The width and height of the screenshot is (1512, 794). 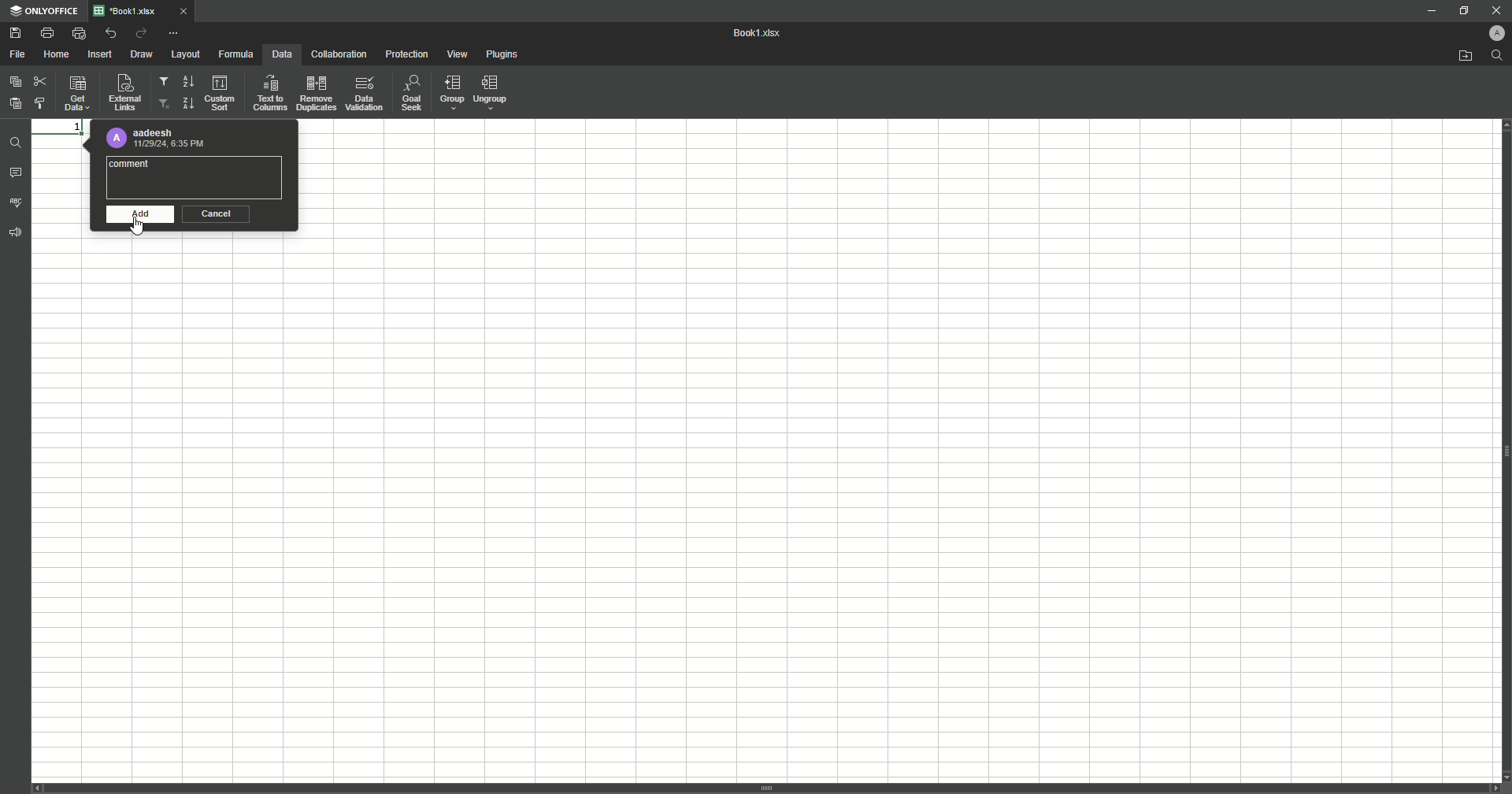 What do you see at coordinates (39, 79) in the screenshot?
I see `Cut` at bounding box center [39, 79].